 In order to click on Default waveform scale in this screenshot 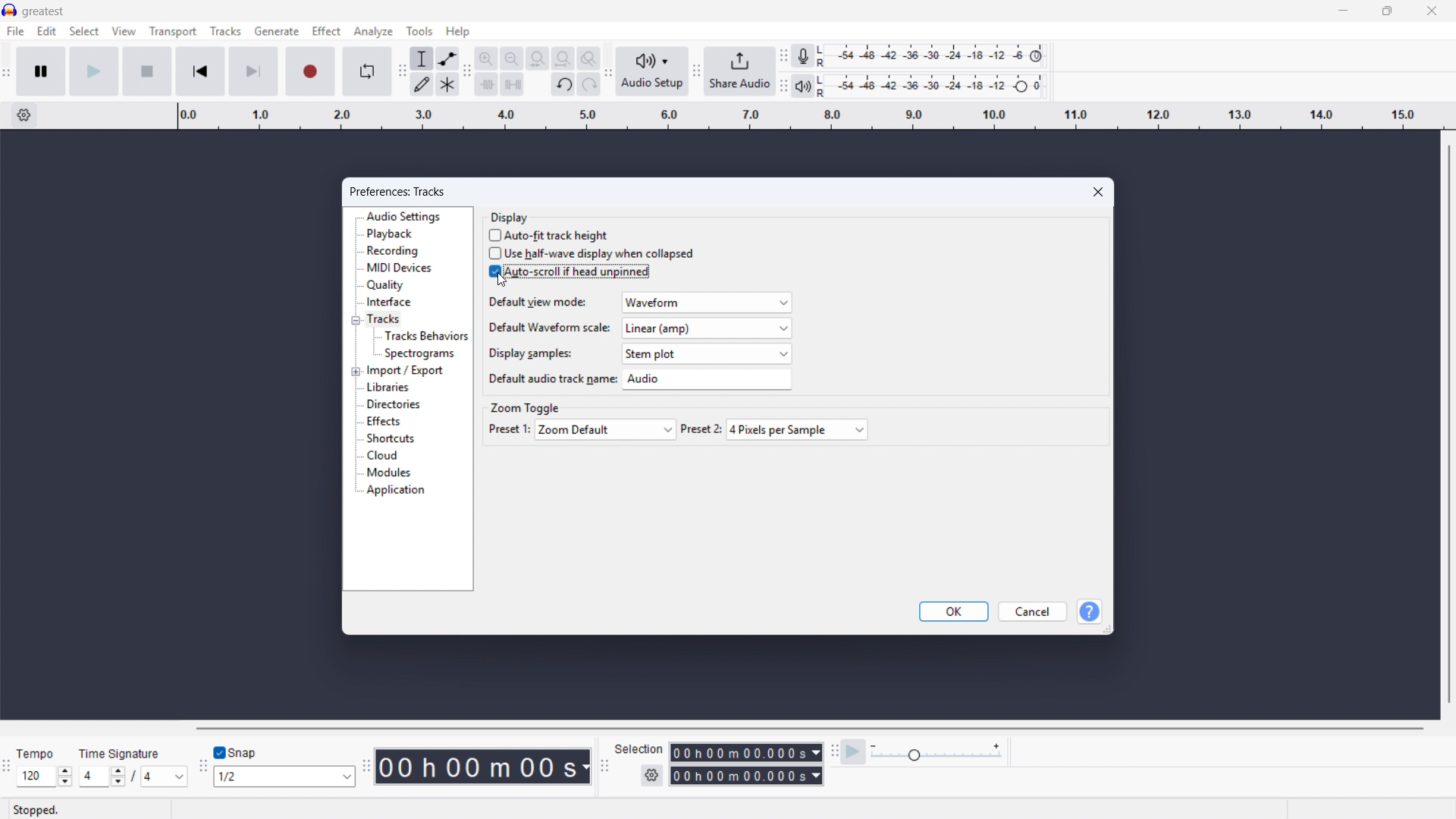, I will do `click(548, 325)`.